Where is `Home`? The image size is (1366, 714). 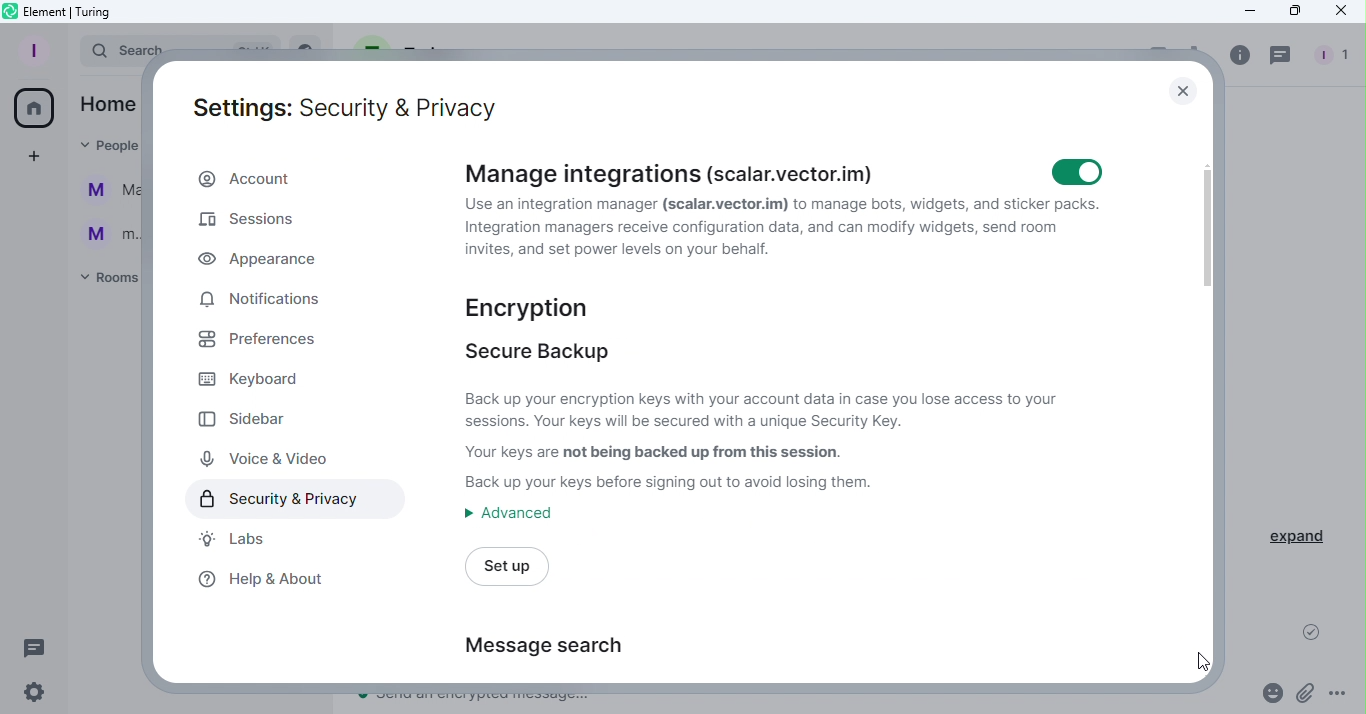
Home is located at coordinates (37, 105).